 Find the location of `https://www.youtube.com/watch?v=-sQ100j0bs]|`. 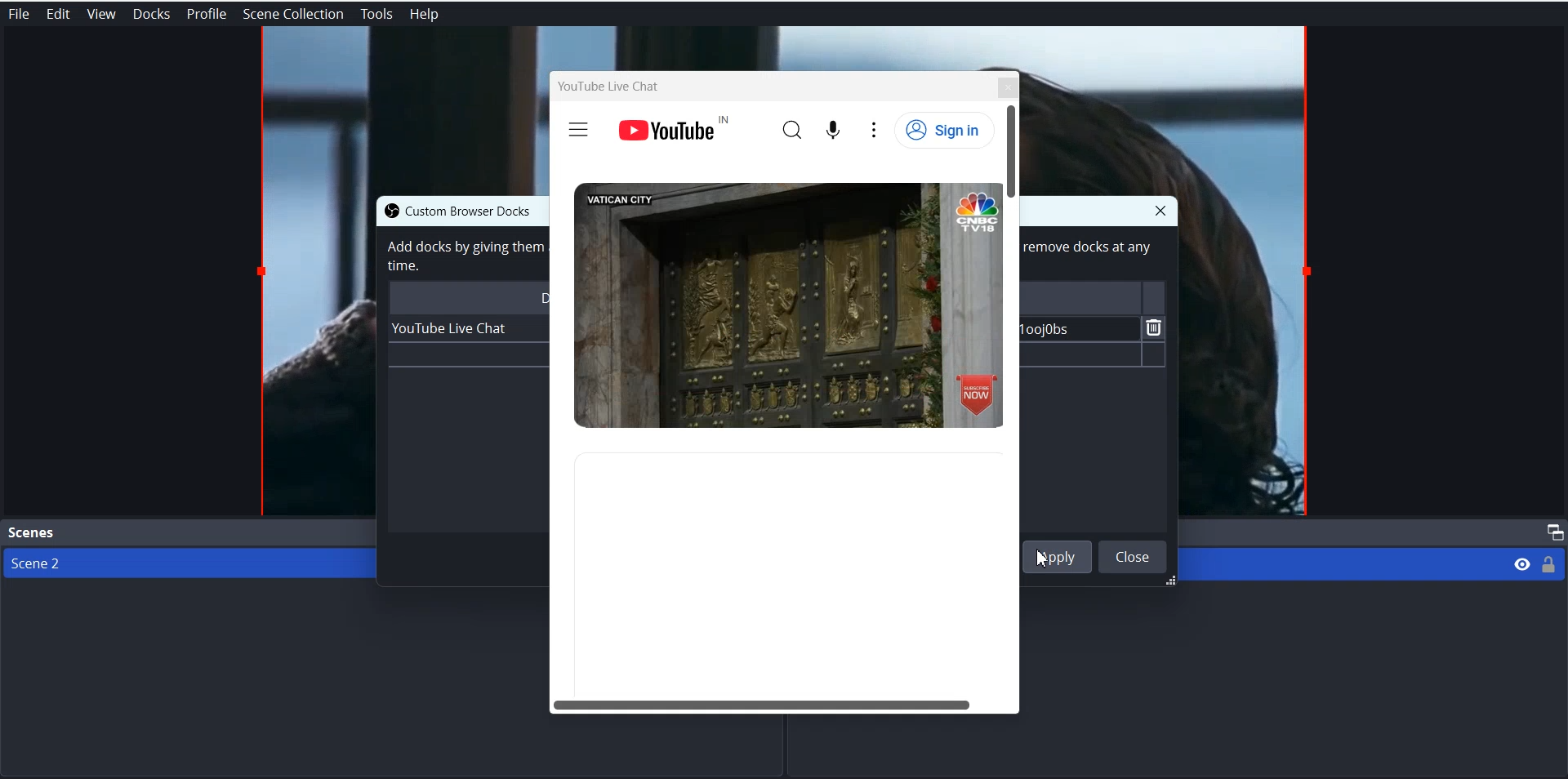

https://www.youtube.com/watch?v=-sQ100j0bs]| is located at coordinates (1076, 328).